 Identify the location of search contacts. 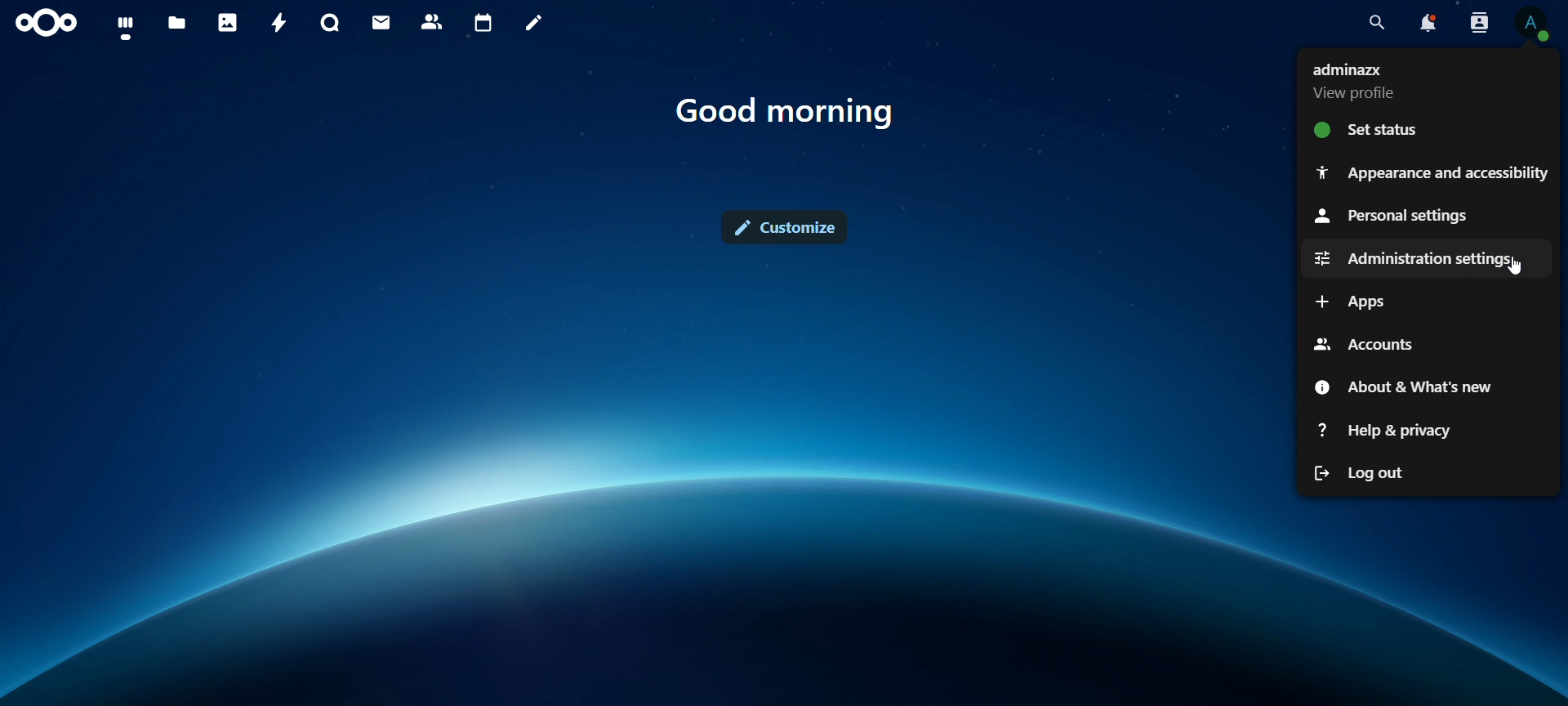
(1479, 25).